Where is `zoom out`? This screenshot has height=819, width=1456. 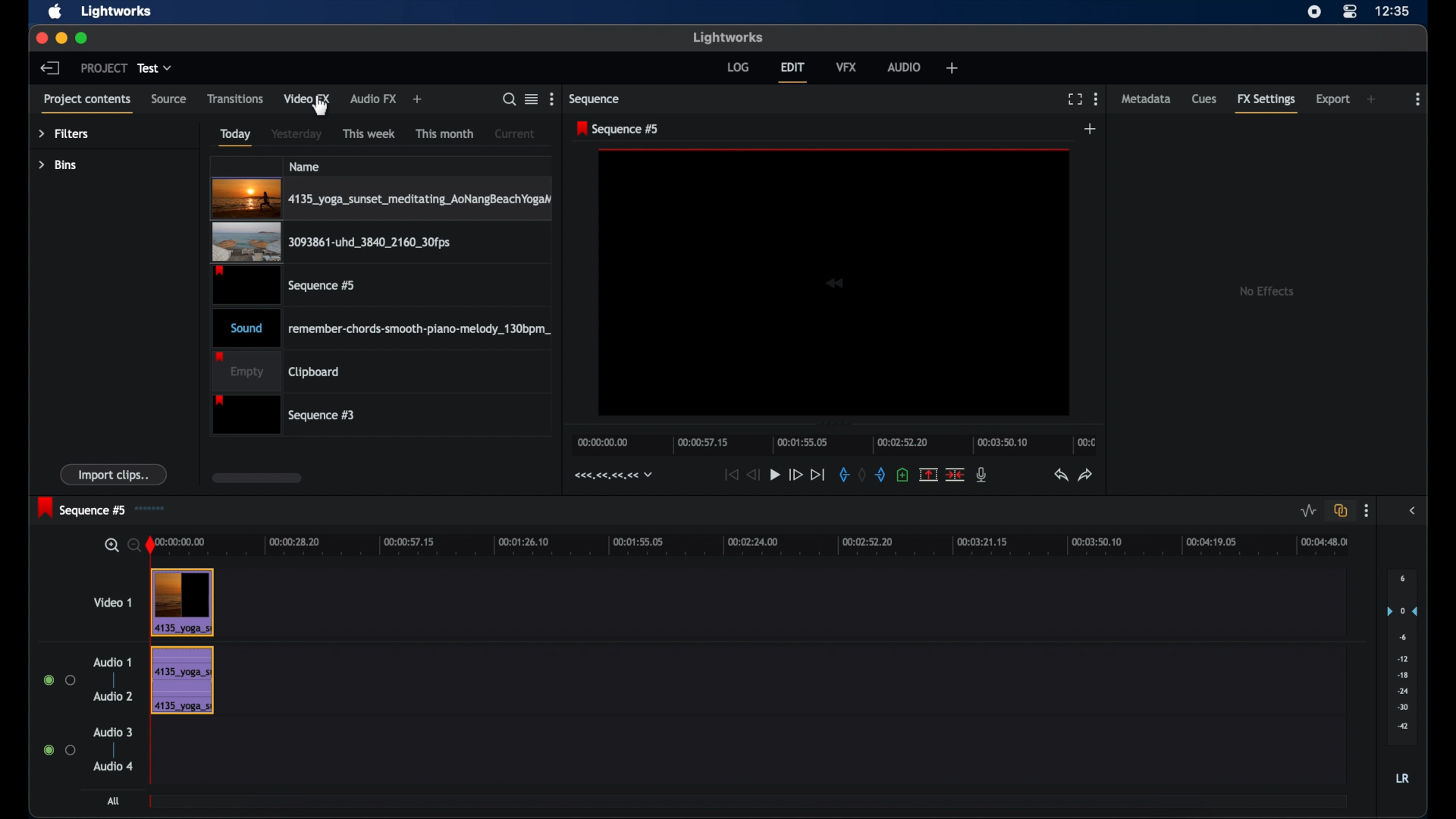 zoom out is located at coordinates (133, 544).